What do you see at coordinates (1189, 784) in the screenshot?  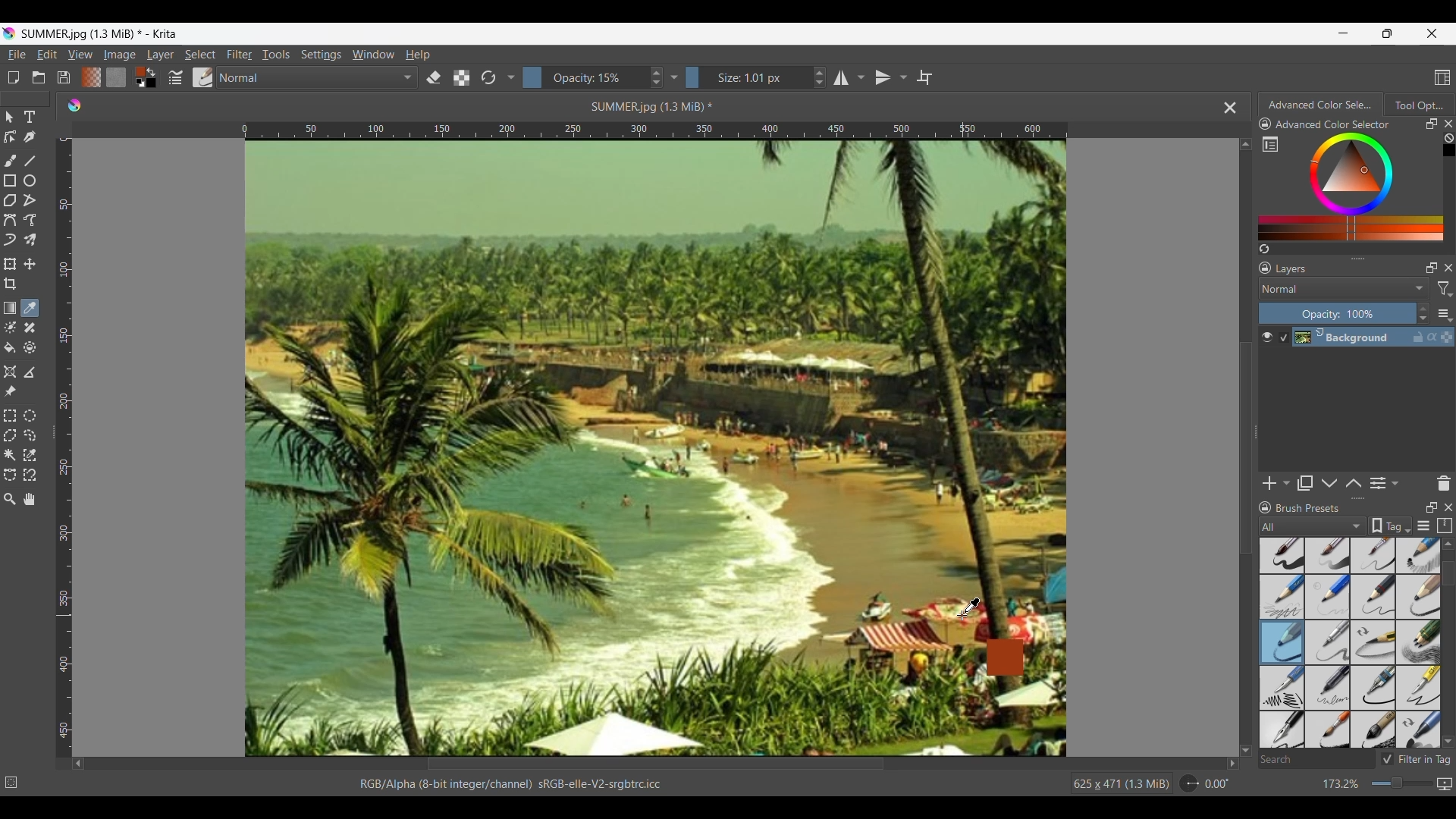 I see `Rotation dial` at bounding box center [1189, 784].